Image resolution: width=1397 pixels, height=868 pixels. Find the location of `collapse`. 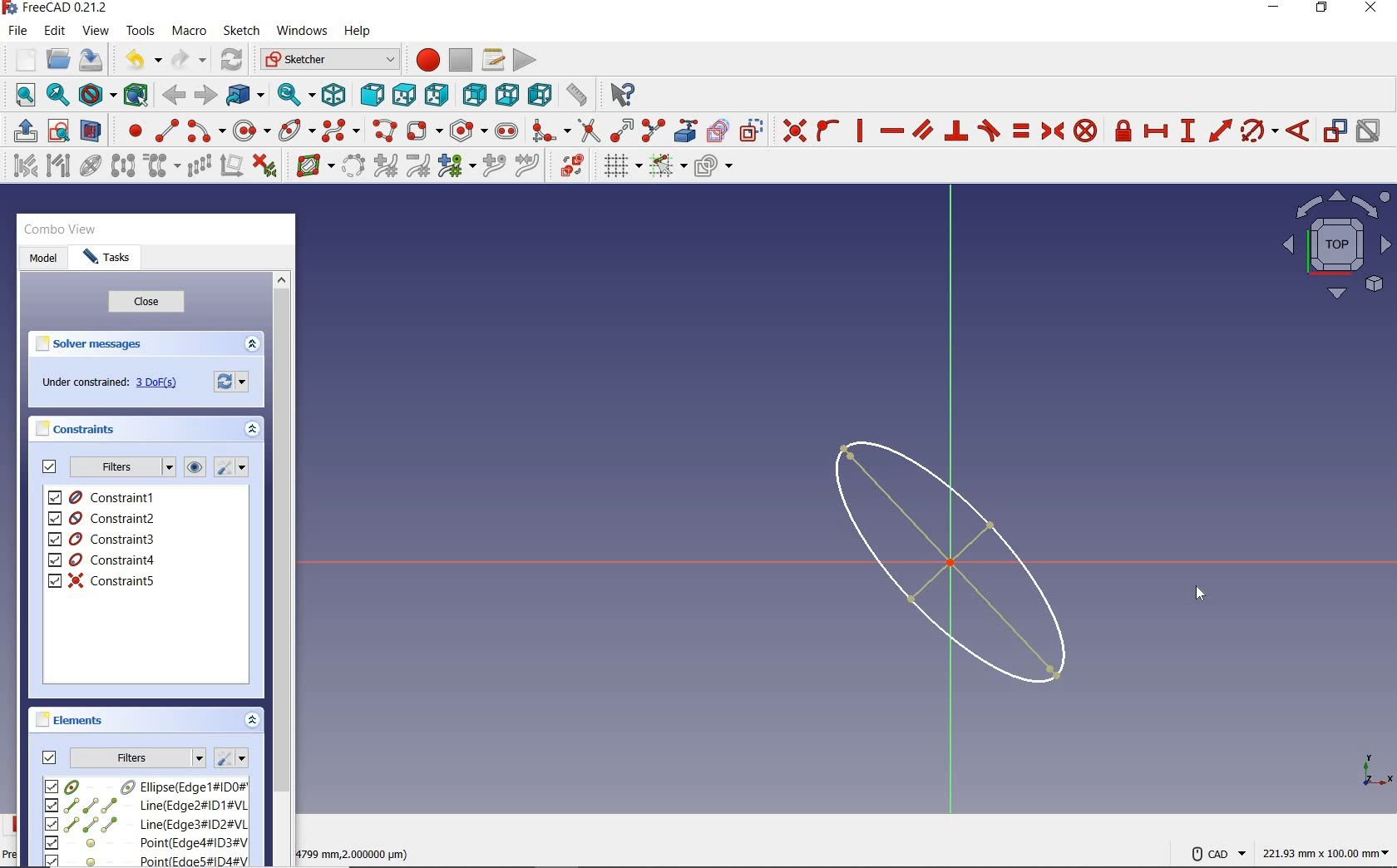

collapse is located at coordinates (251, 345).